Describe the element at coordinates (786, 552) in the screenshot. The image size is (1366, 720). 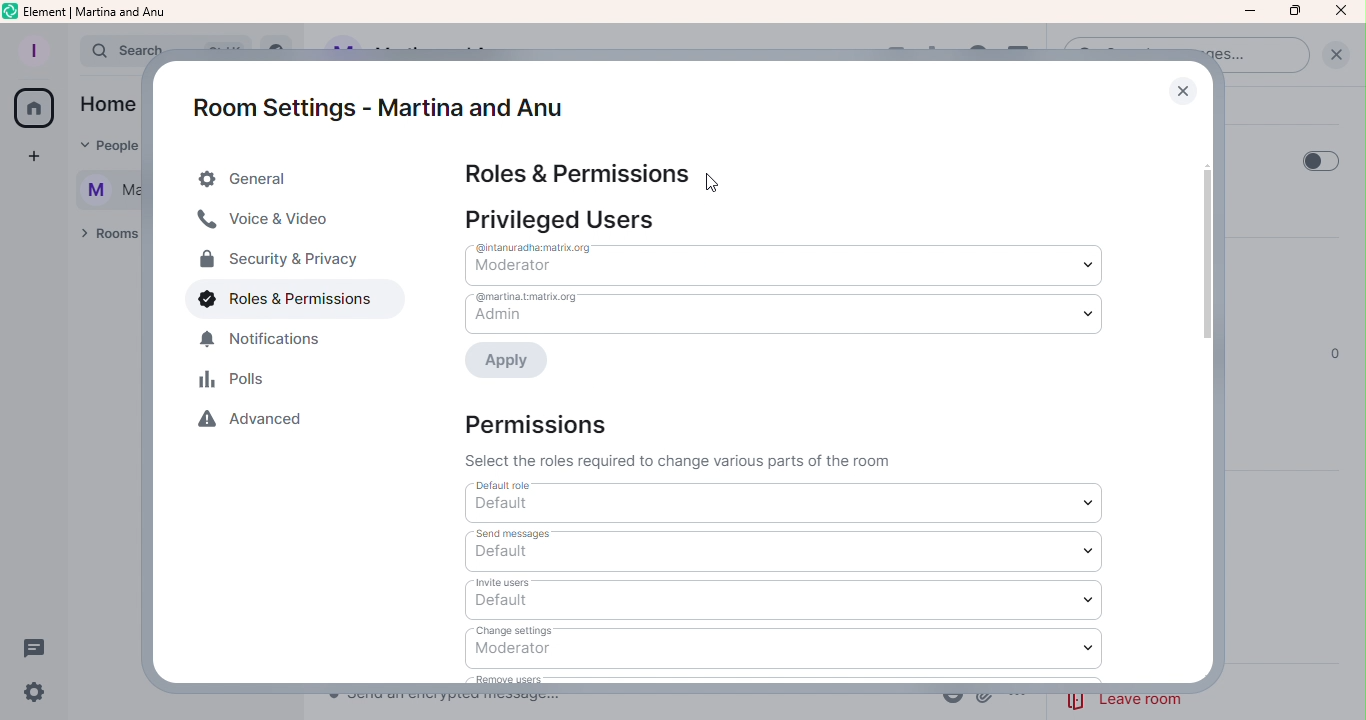
I see `Send Messages` at that location.